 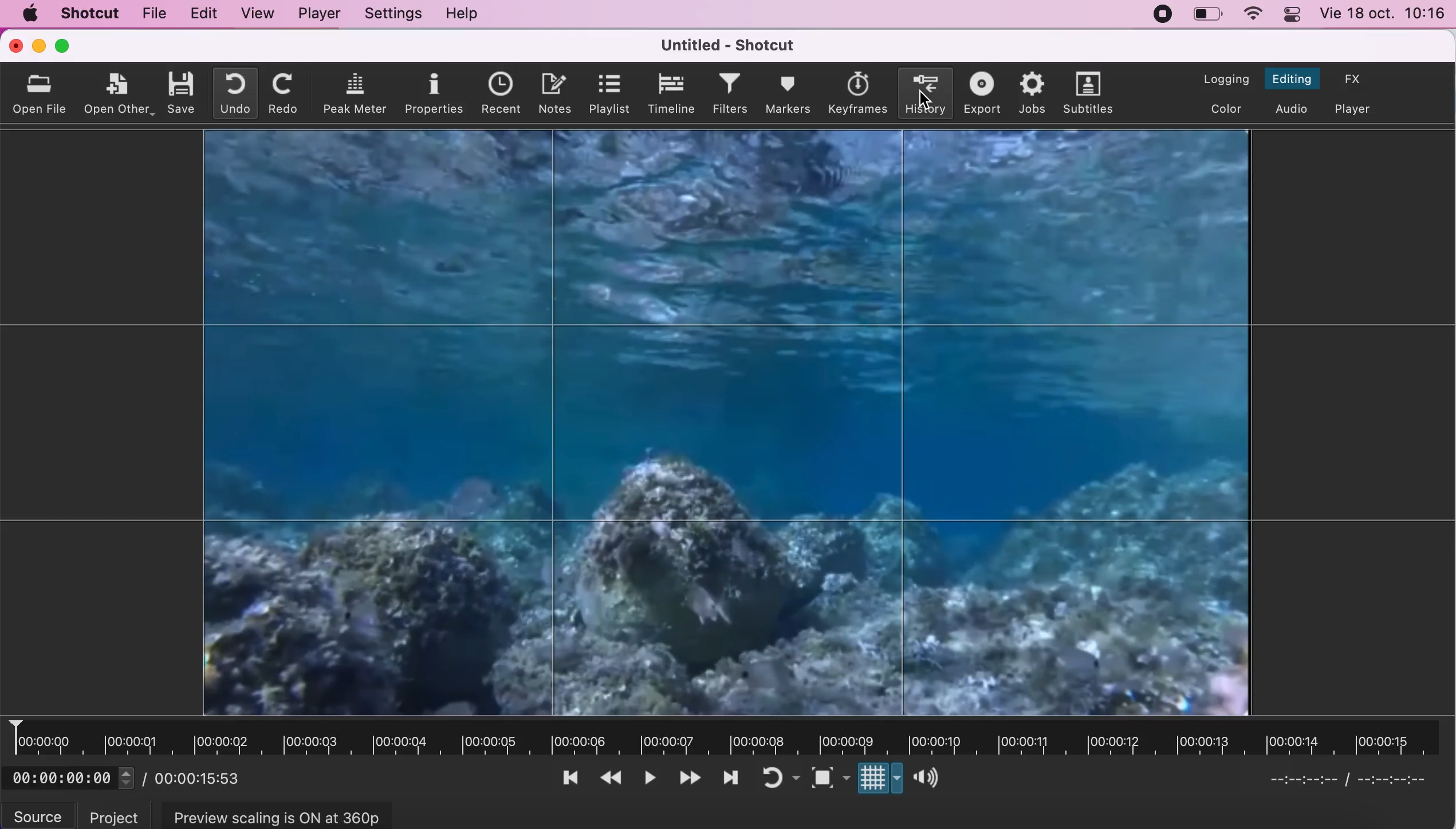 I want to click on keyframes, so click(x=858, y=92).